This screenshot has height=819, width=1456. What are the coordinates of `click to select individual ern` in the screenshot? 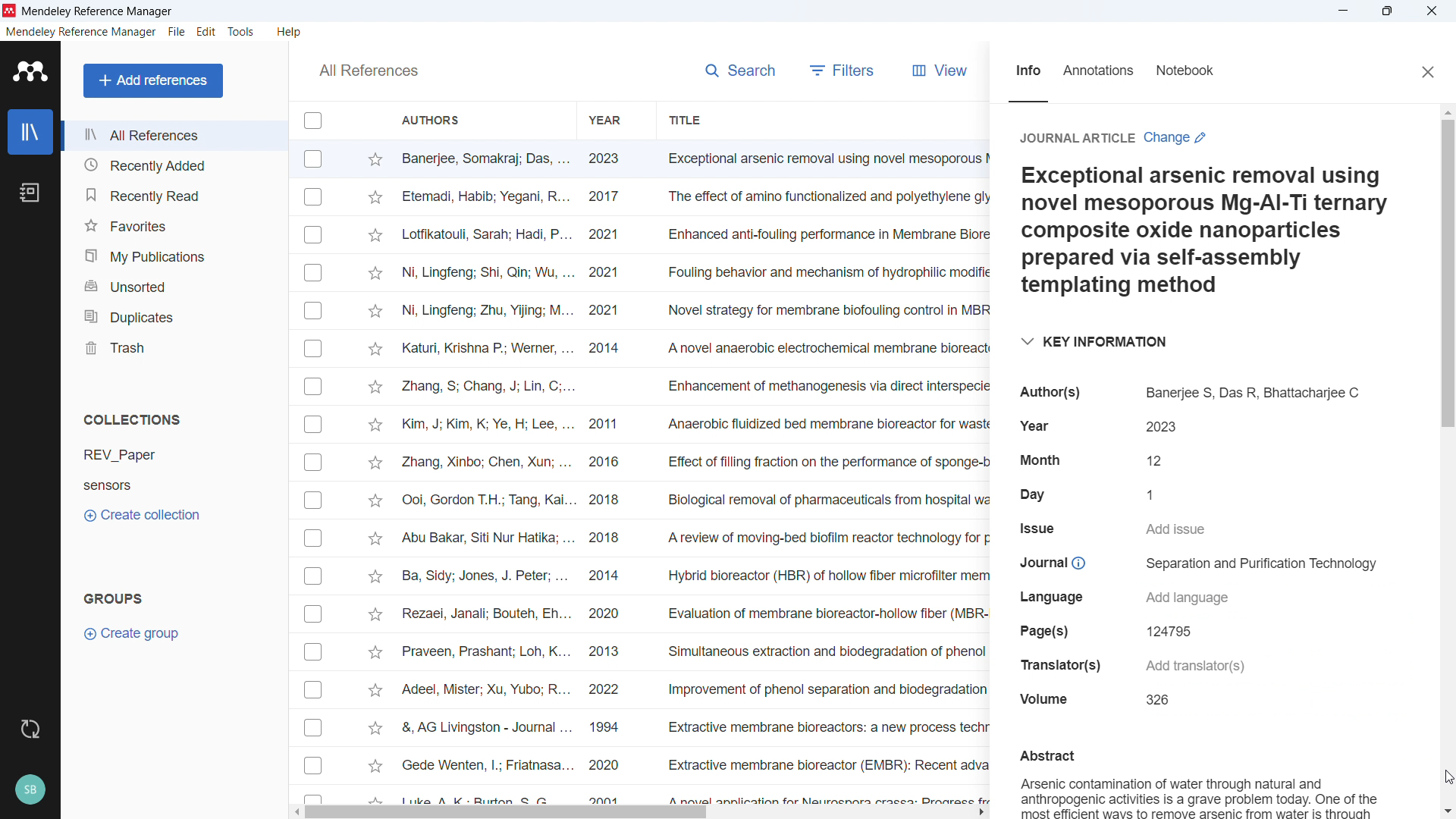 It's located at (315, 538).